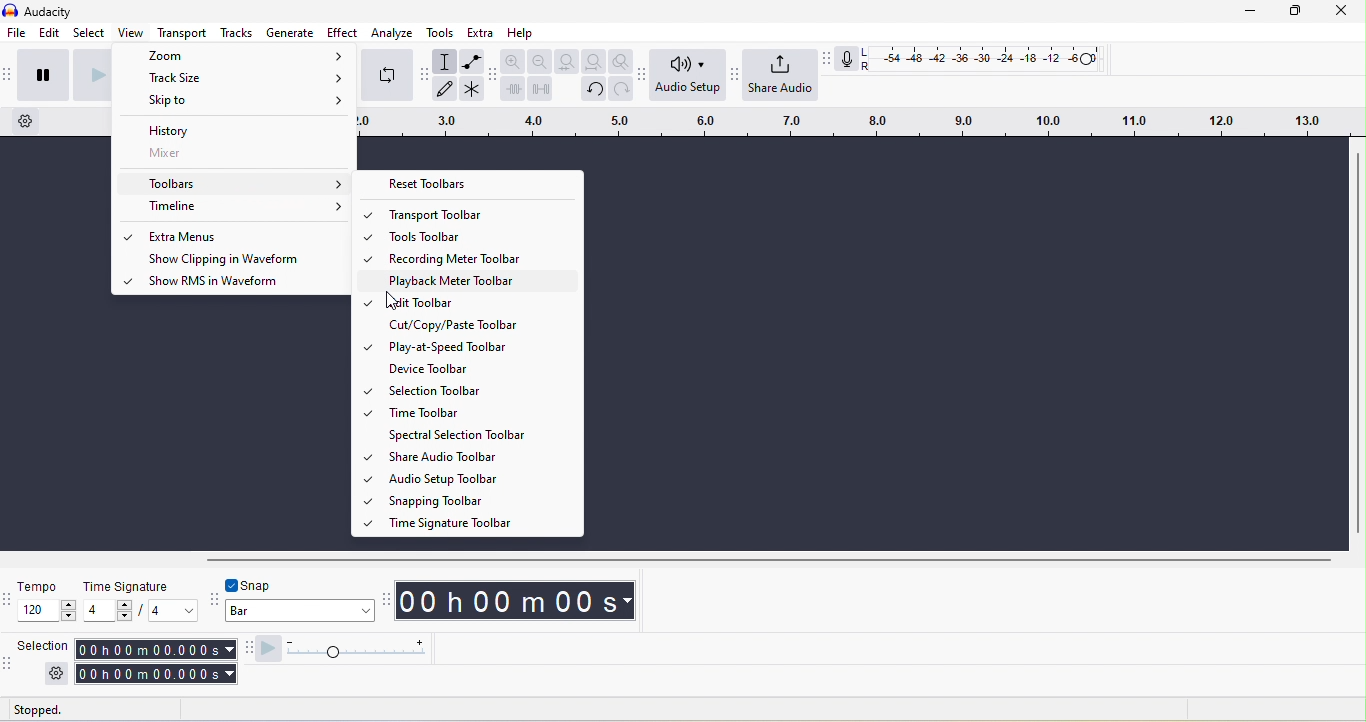 This screenshot has height=722, width=1366. Describe the element at coordinates (387, 76) in the screenshot. I see `enable loop` at that location.